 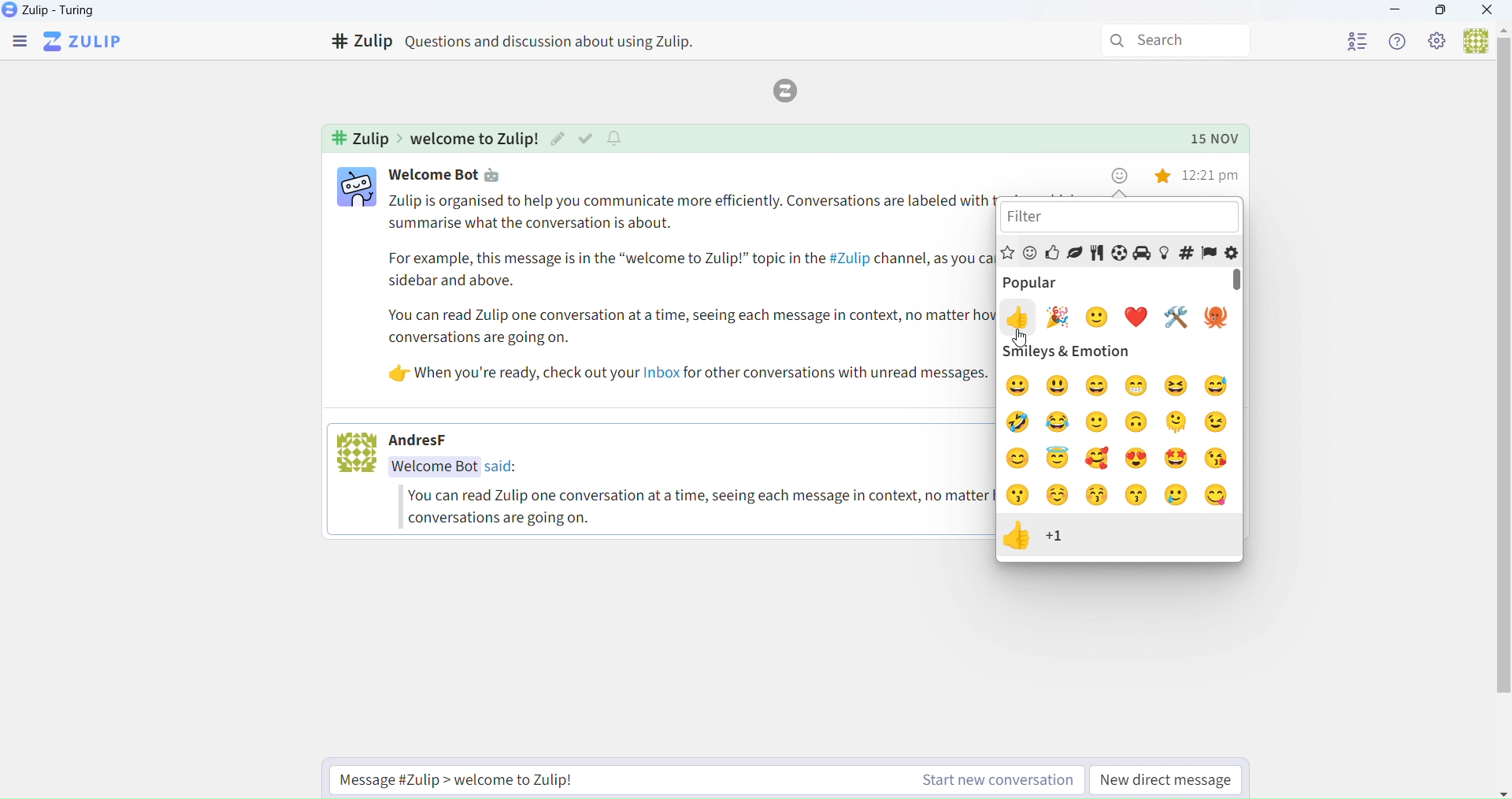 I want to click on Filter, so click(x=1123, y=218).